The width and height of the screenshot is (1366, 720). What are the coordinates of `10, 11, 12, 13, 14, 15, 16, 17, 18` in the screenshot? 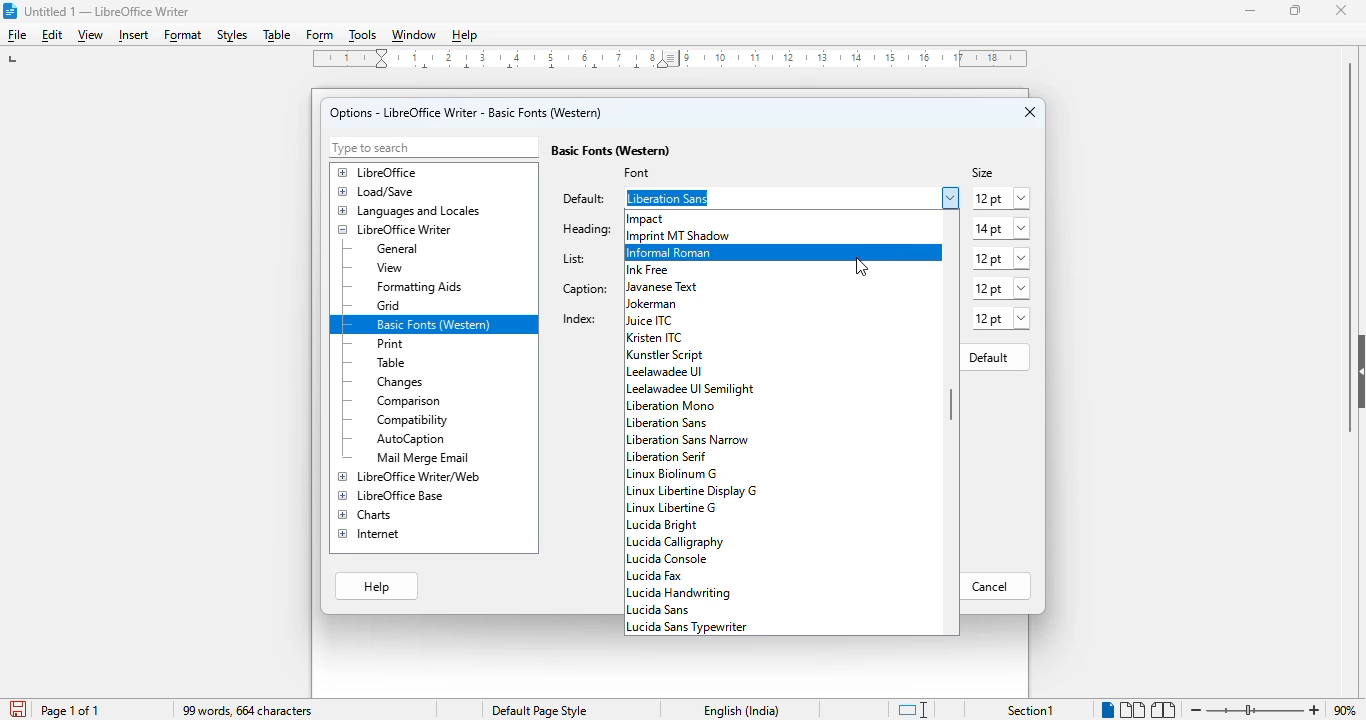 It's located at (858, 57).